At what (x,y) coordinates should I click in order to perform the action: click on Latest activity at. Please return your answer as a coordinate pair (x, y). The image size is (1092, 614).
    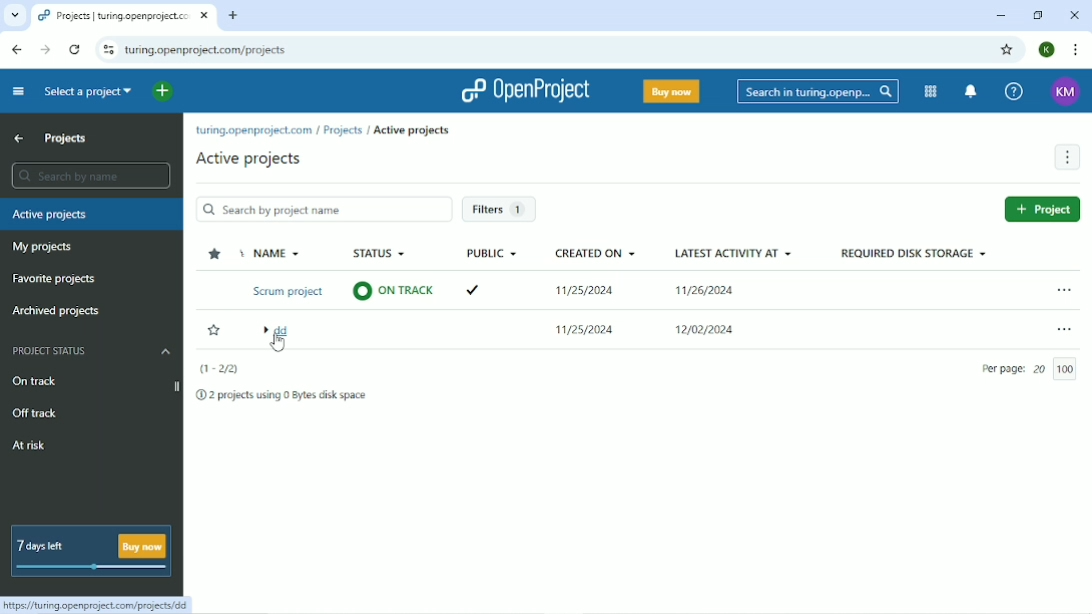
    Looking at the image, I should click on (734, 293).